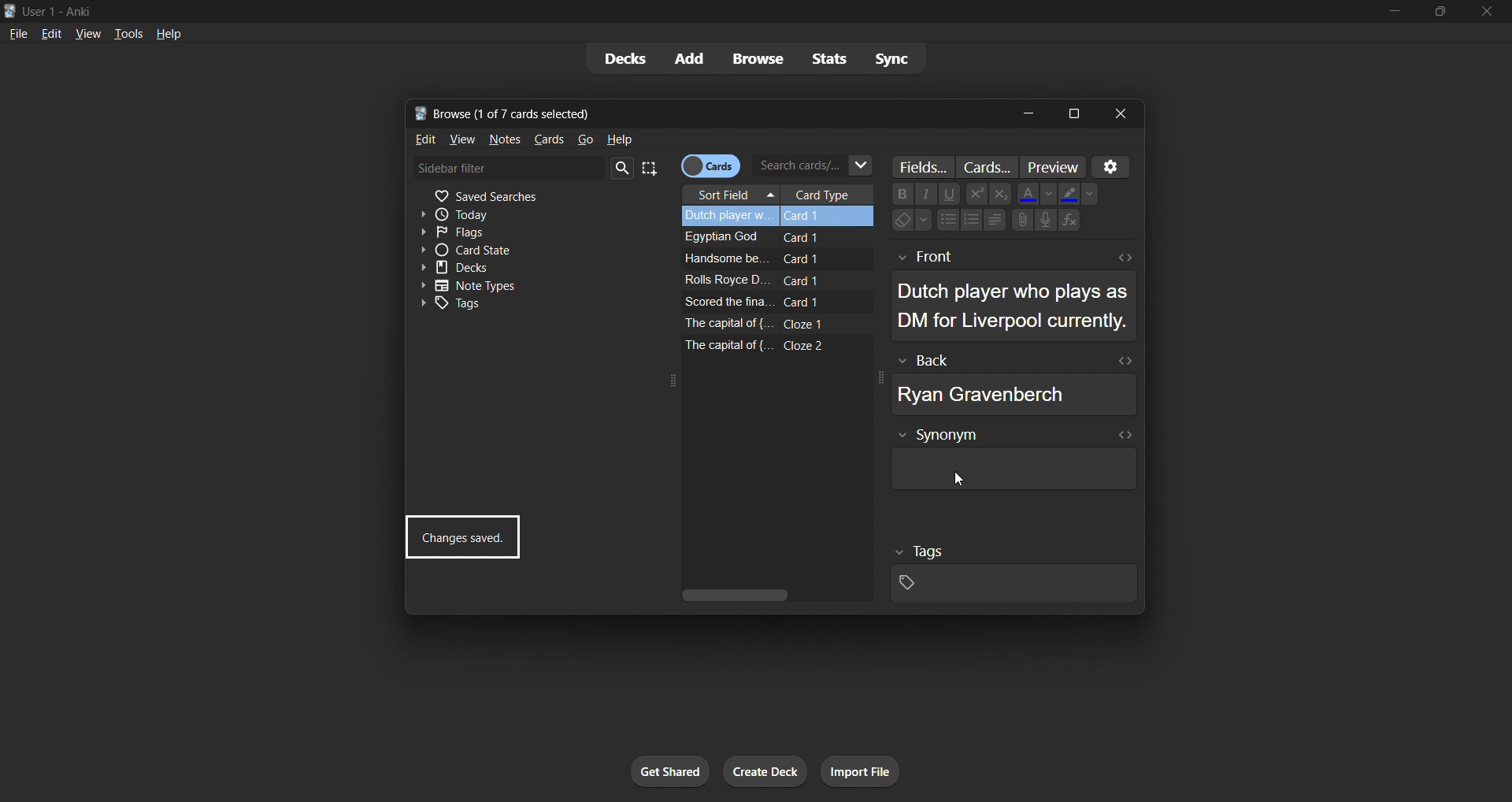 This screenshot has width=1512, height=802. What do you see at coordinates (505, 141) in the screenshot?
I see `notes` at bounding box center [505, 141].